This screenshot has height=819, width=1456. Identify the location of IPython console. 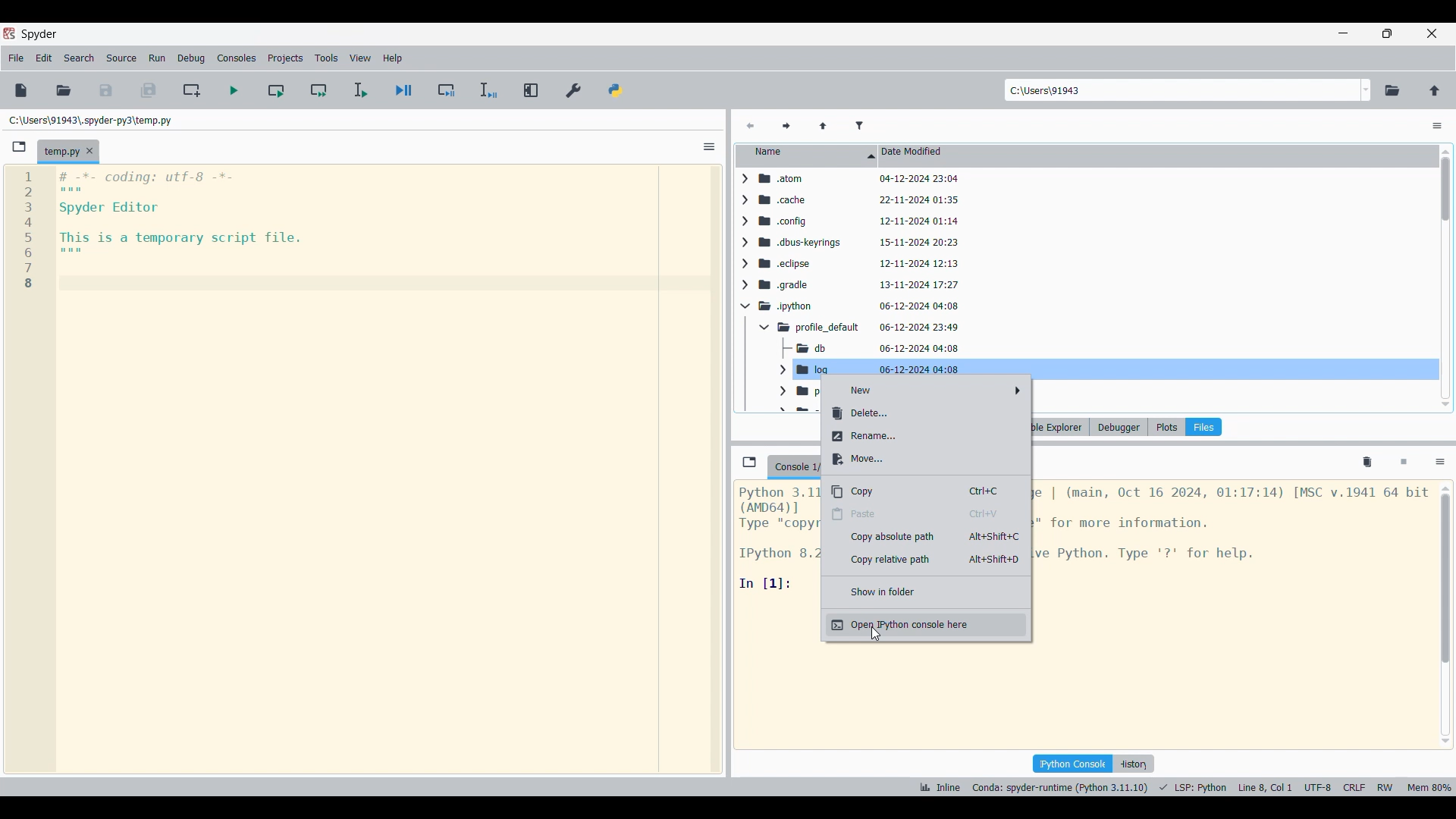
(1072, 764).